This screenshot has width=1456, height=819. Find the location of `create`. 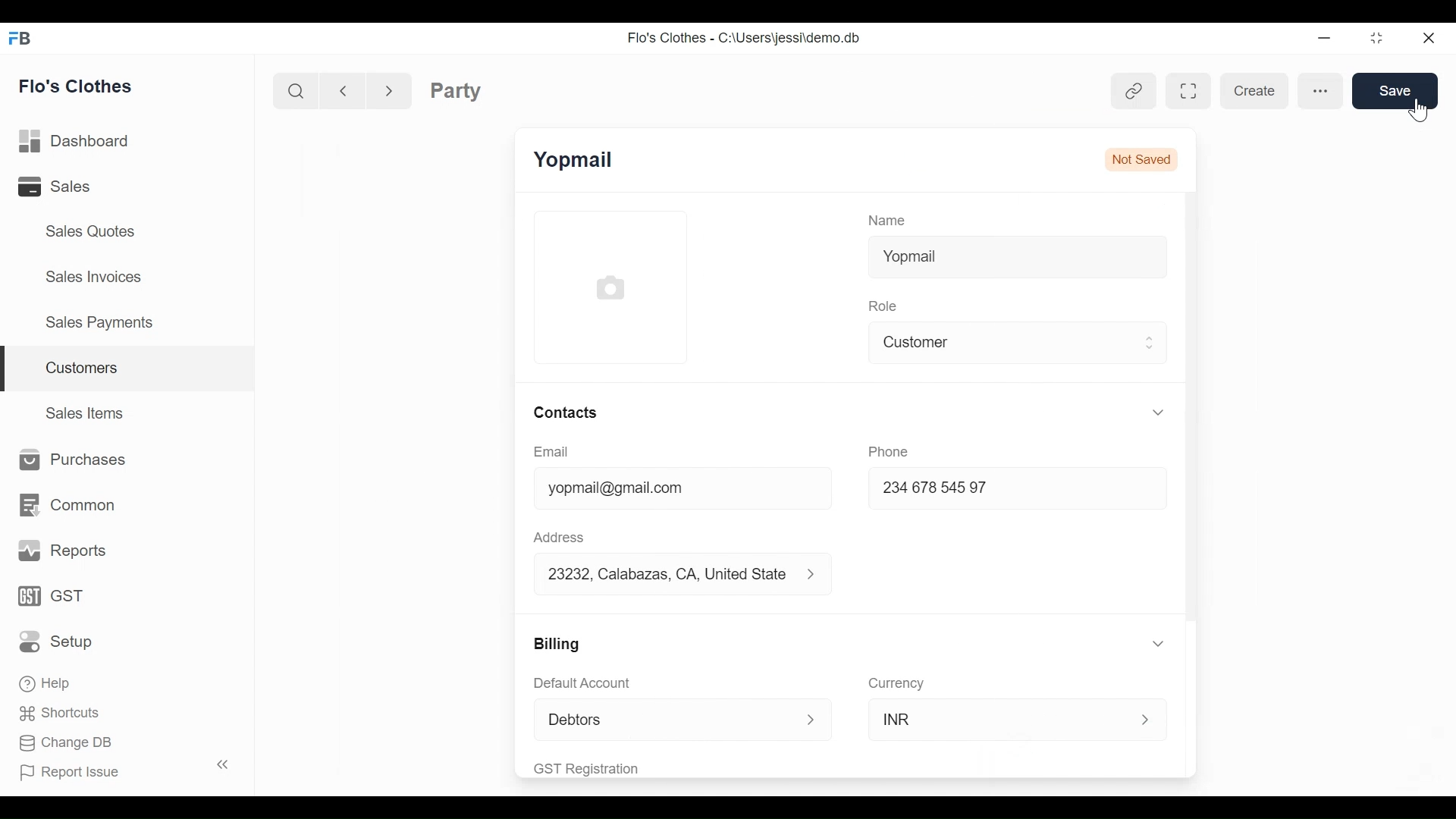

create is located at coordinates (1256, 92).